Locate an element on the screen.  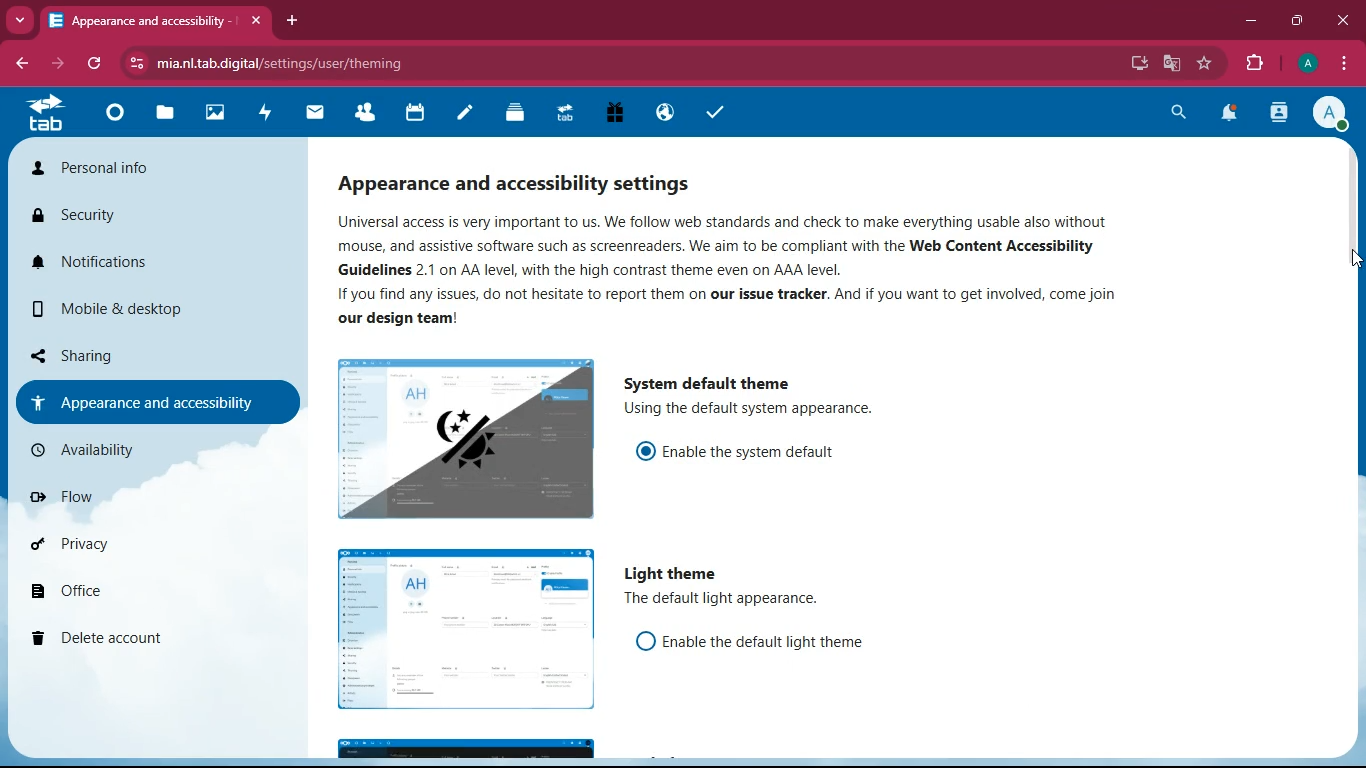
flow is located at coordinates (143, 496).